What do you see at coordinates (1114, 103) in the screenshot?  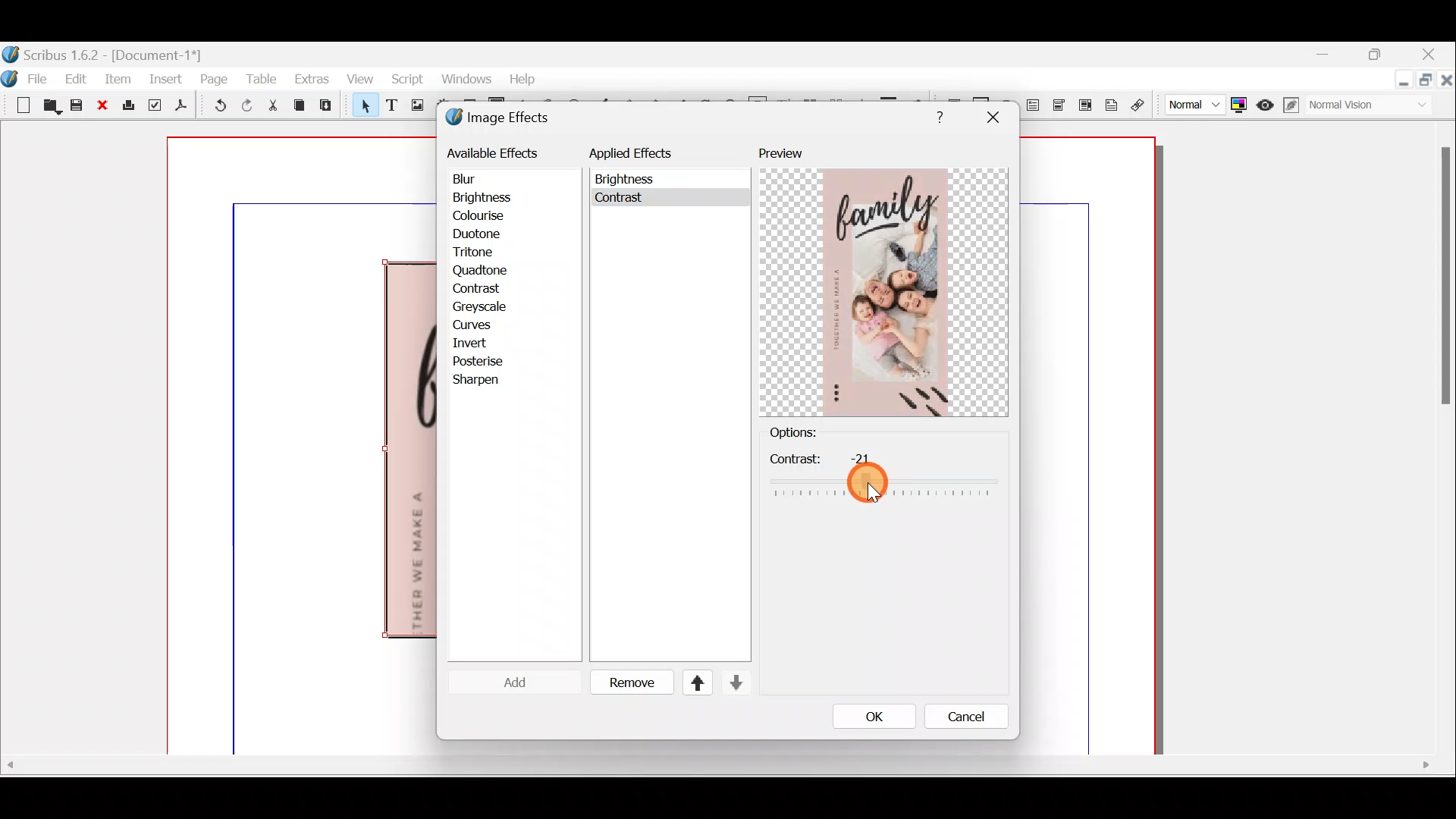 I see `Text annotation` at bounding box center [1114, 103].